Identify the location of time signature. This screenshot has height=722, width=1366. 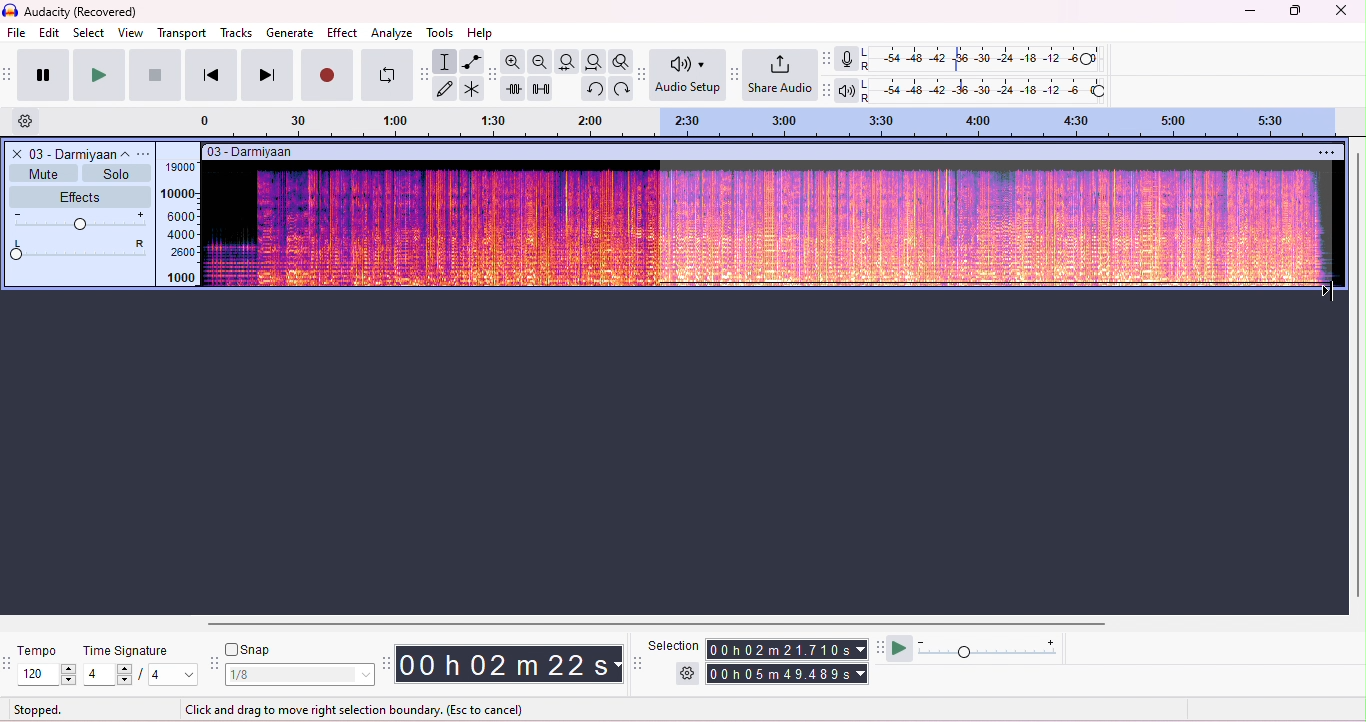
(129, 651).